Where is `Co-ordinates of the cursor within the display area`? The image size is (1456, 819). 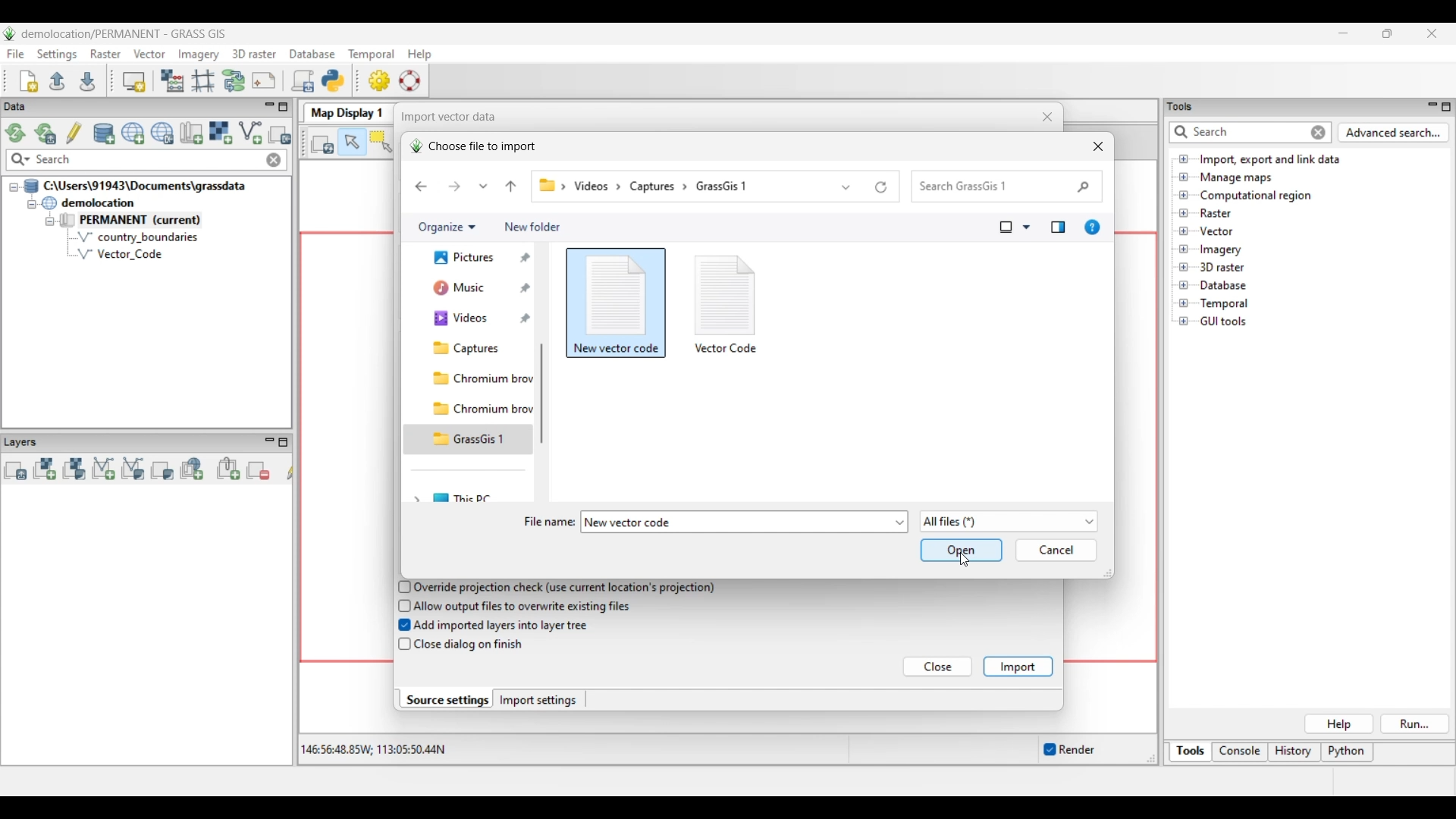
Co-ordinates of the cursor within the display area is located at coordinates (371, 750).